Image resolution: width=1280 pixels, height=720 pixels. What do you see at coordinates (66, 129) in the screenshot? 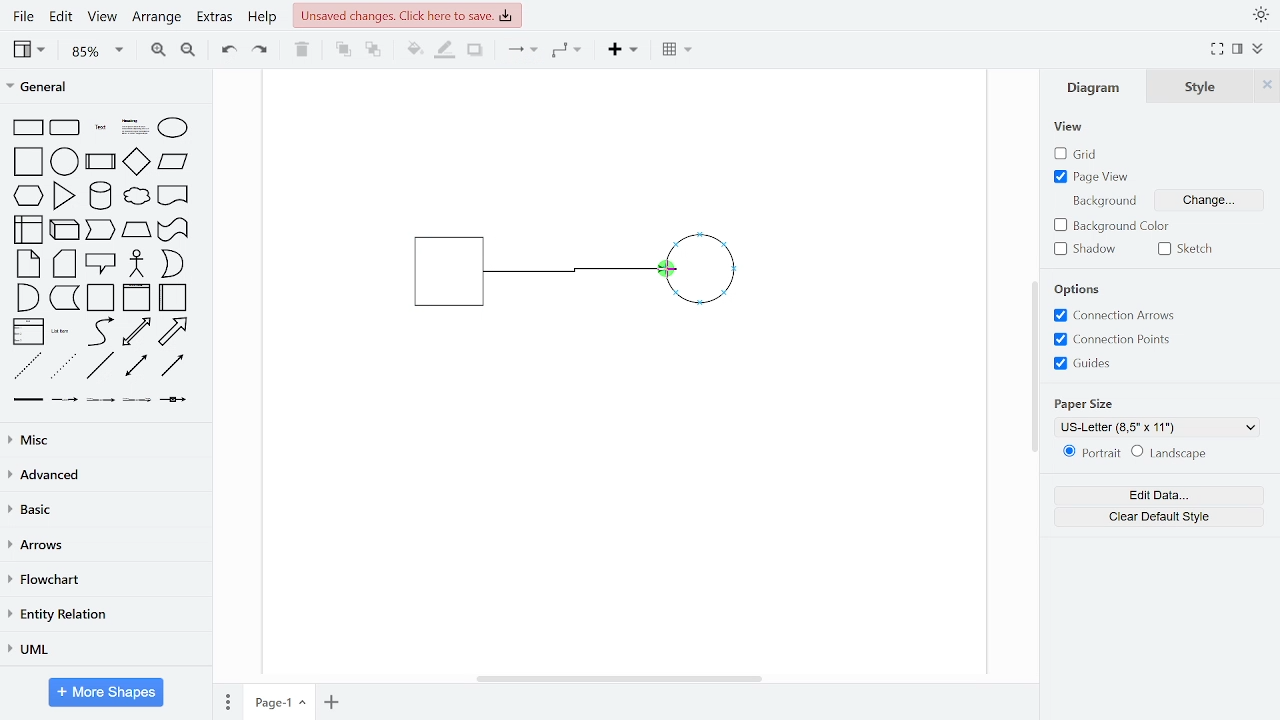
I see `rounded rectangle` at bounding box center [66, 129].